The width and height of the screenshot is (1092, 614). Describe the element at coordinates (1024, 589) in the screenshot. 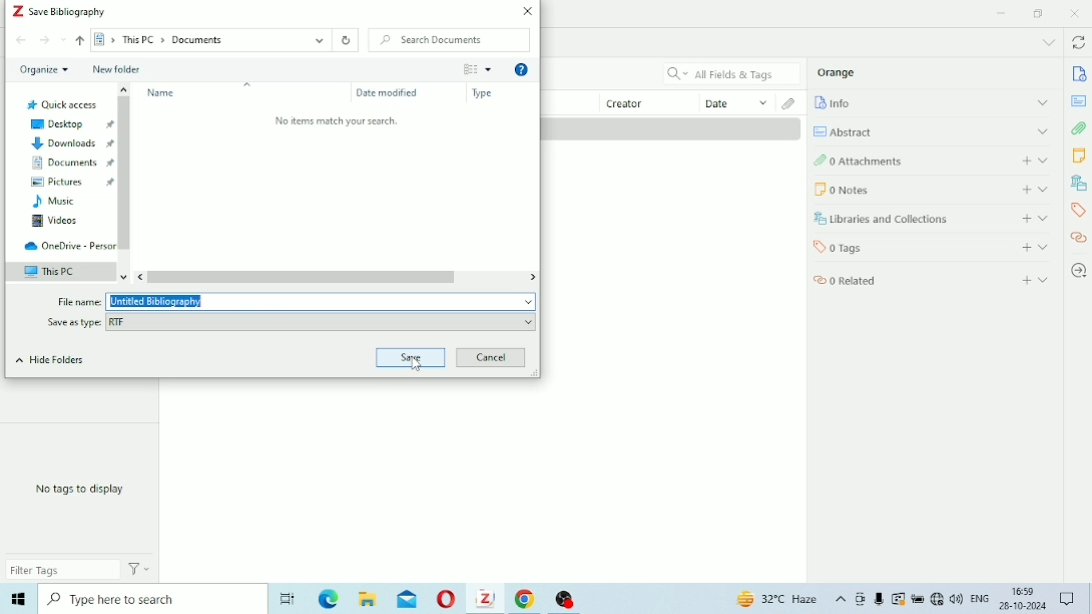

I see `16:59` at that location.